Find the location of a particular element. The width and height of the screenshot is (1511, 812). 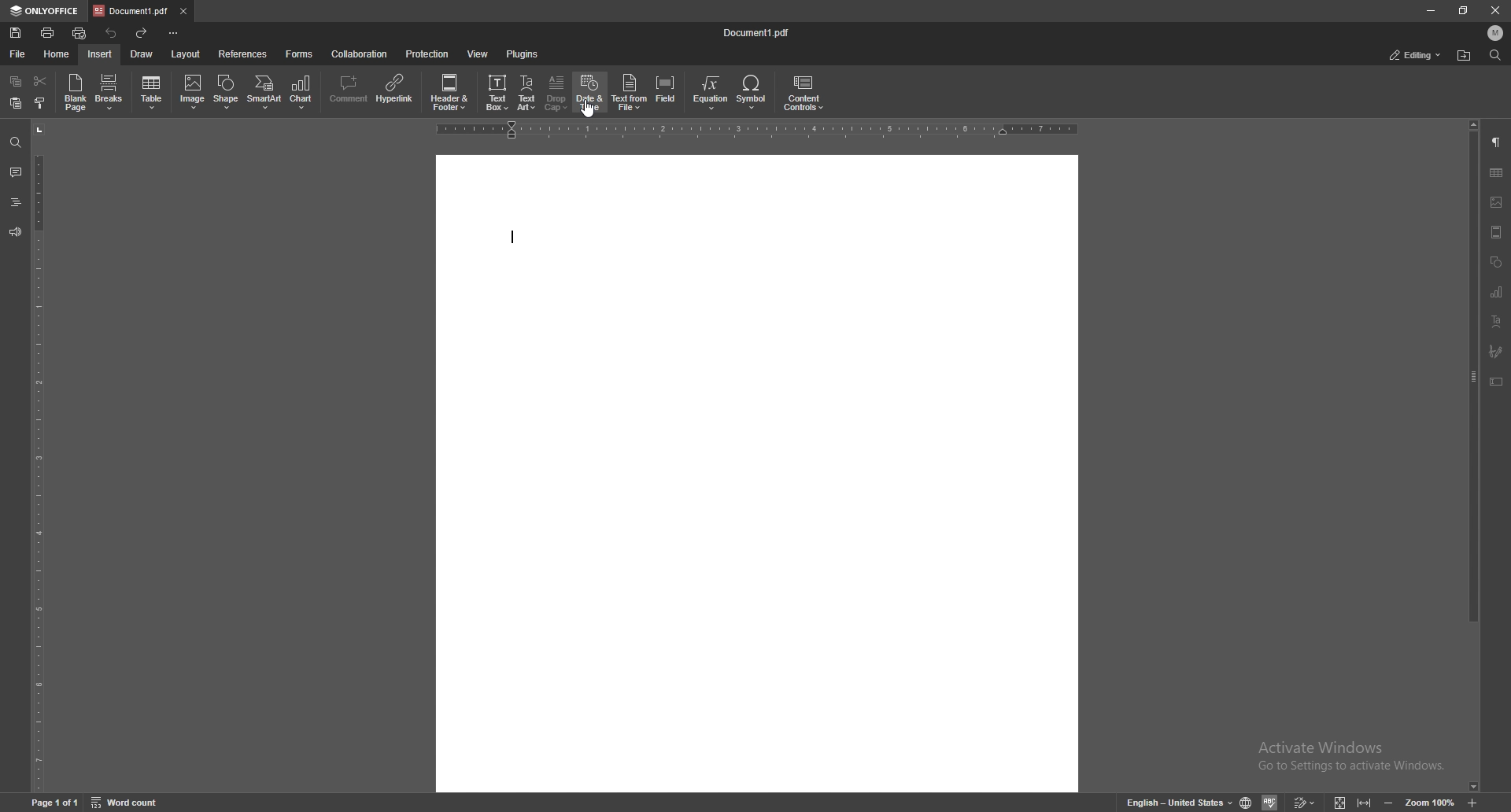

find is located at coordinates (1495, 56).